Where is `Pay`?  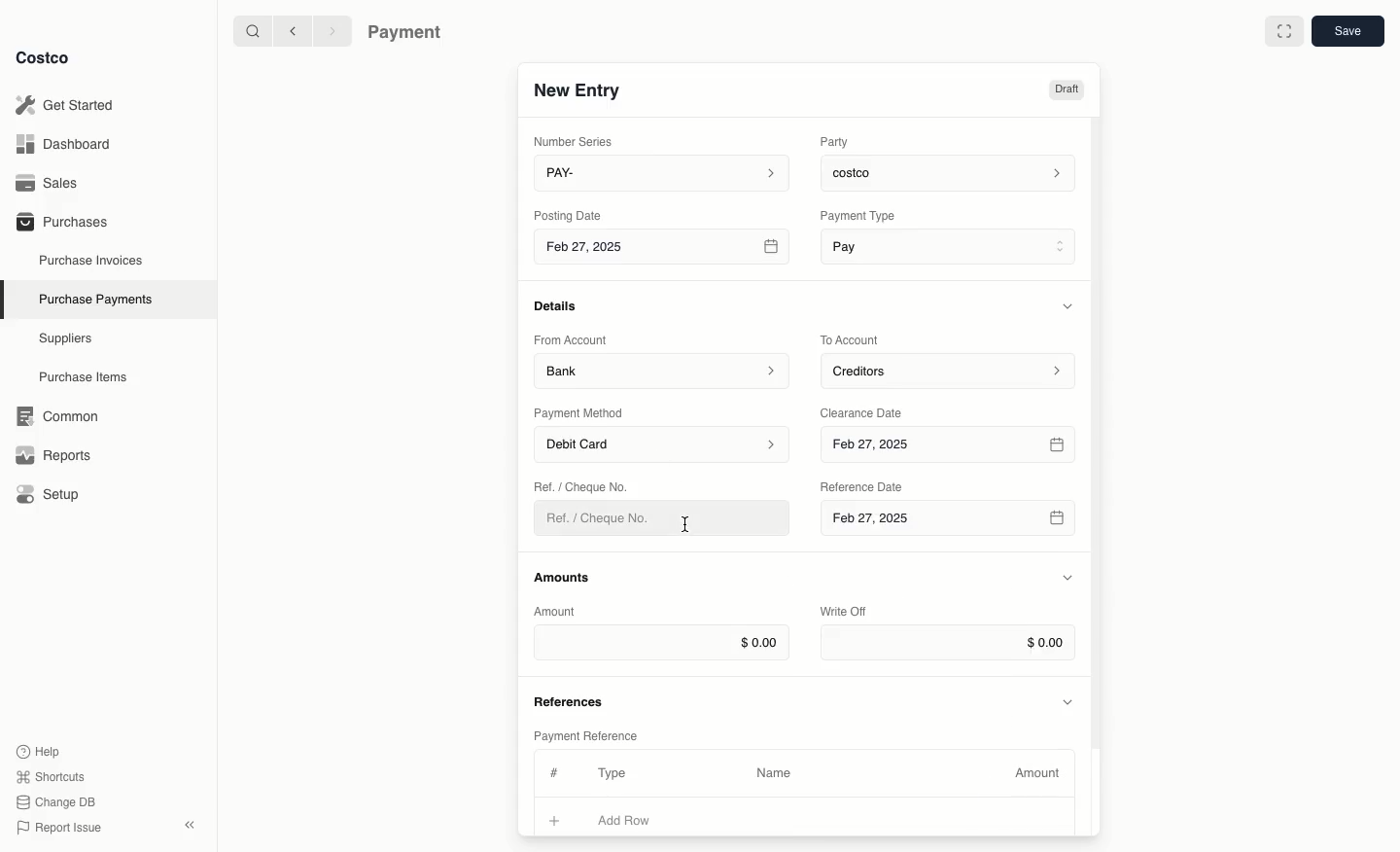 Pay is located at coordinates (951, 245).